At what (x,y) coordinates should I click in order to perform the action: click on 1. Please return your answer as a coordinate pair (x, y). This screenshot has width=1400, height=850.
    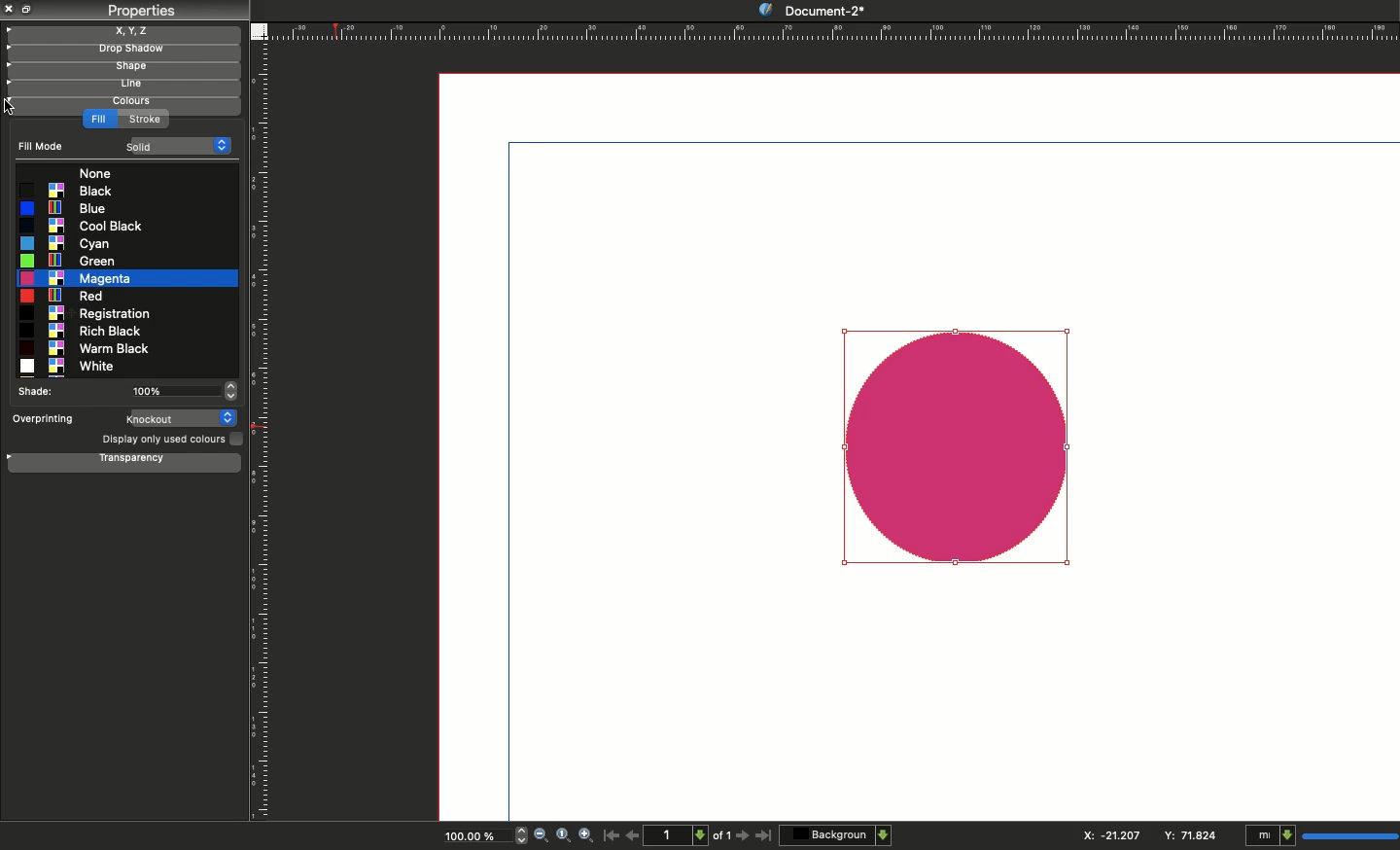
    Looking at the image, I should click on (679, 834).